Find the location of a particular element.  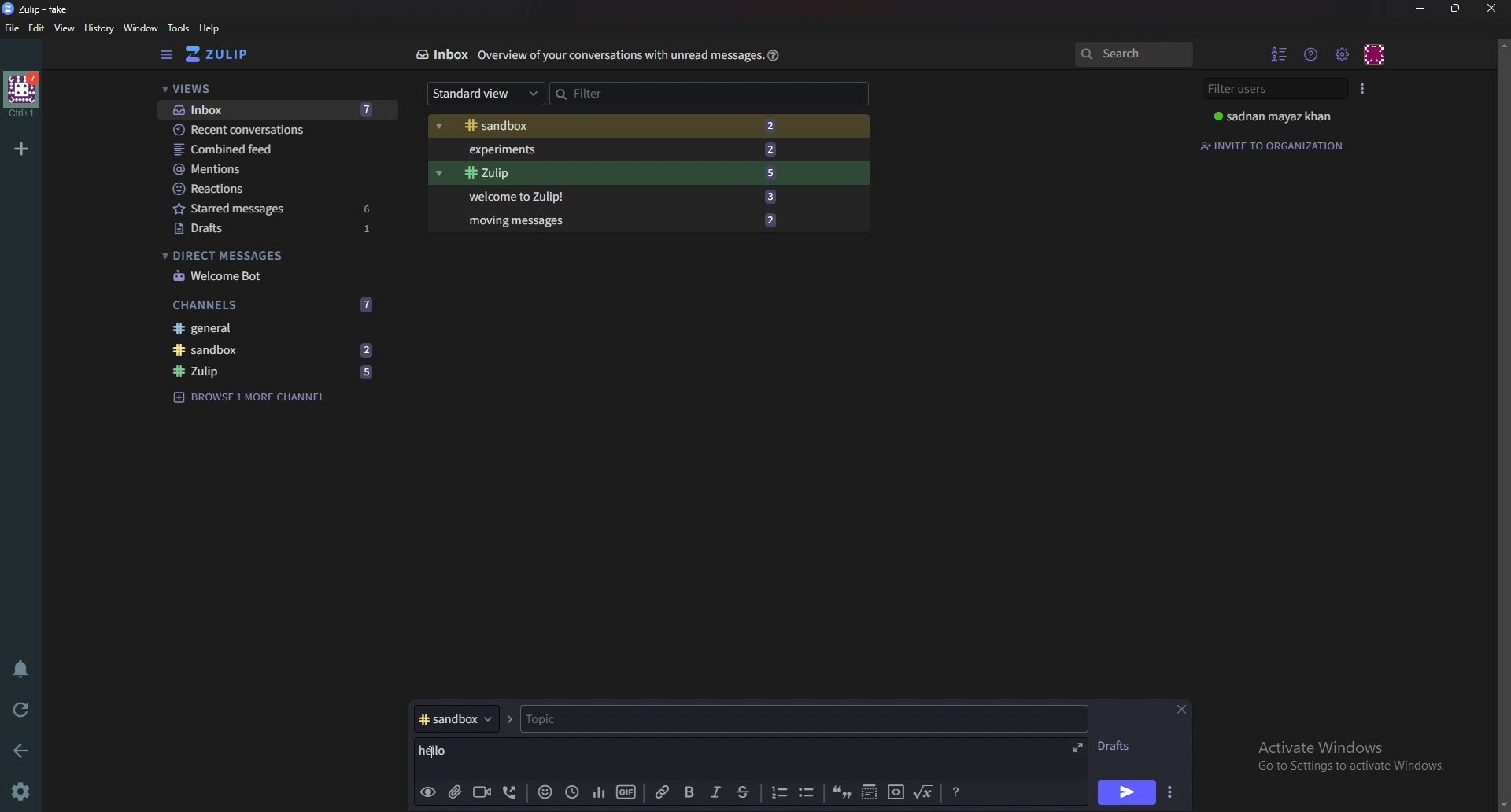

zulip is located at coordinates (217, 54).